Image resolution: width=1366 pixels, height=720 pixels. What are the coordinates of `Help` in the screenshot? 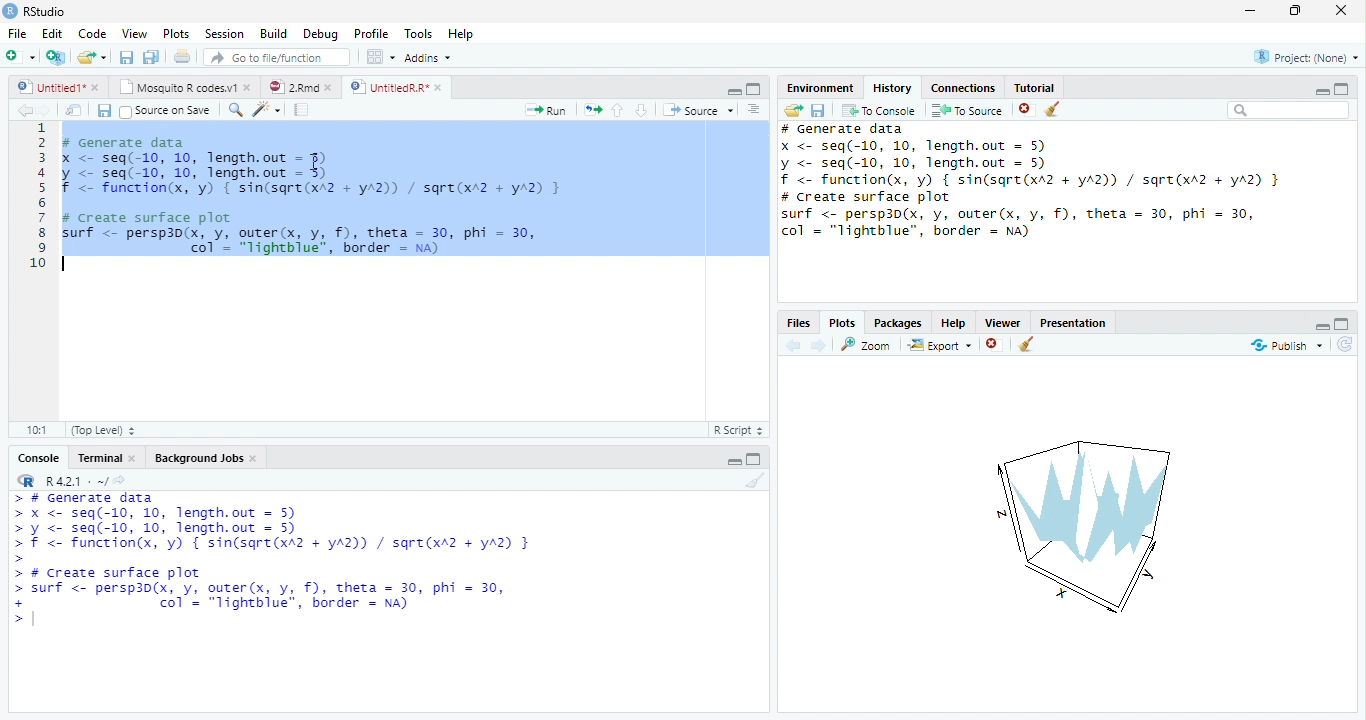 It's located at (460, 33).